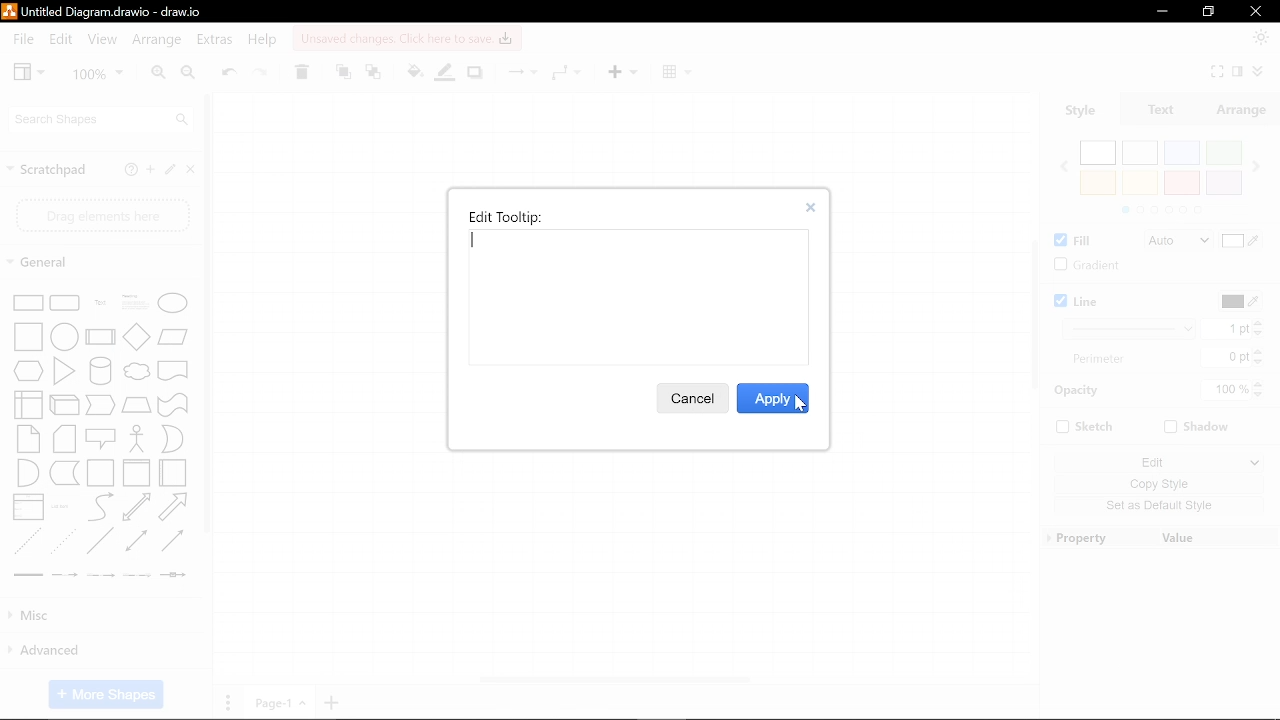 This screenshot has height=720, width=1280. Describe the element at coordinates (1208, 12) in the screenshot. I see `restore down` at that location.